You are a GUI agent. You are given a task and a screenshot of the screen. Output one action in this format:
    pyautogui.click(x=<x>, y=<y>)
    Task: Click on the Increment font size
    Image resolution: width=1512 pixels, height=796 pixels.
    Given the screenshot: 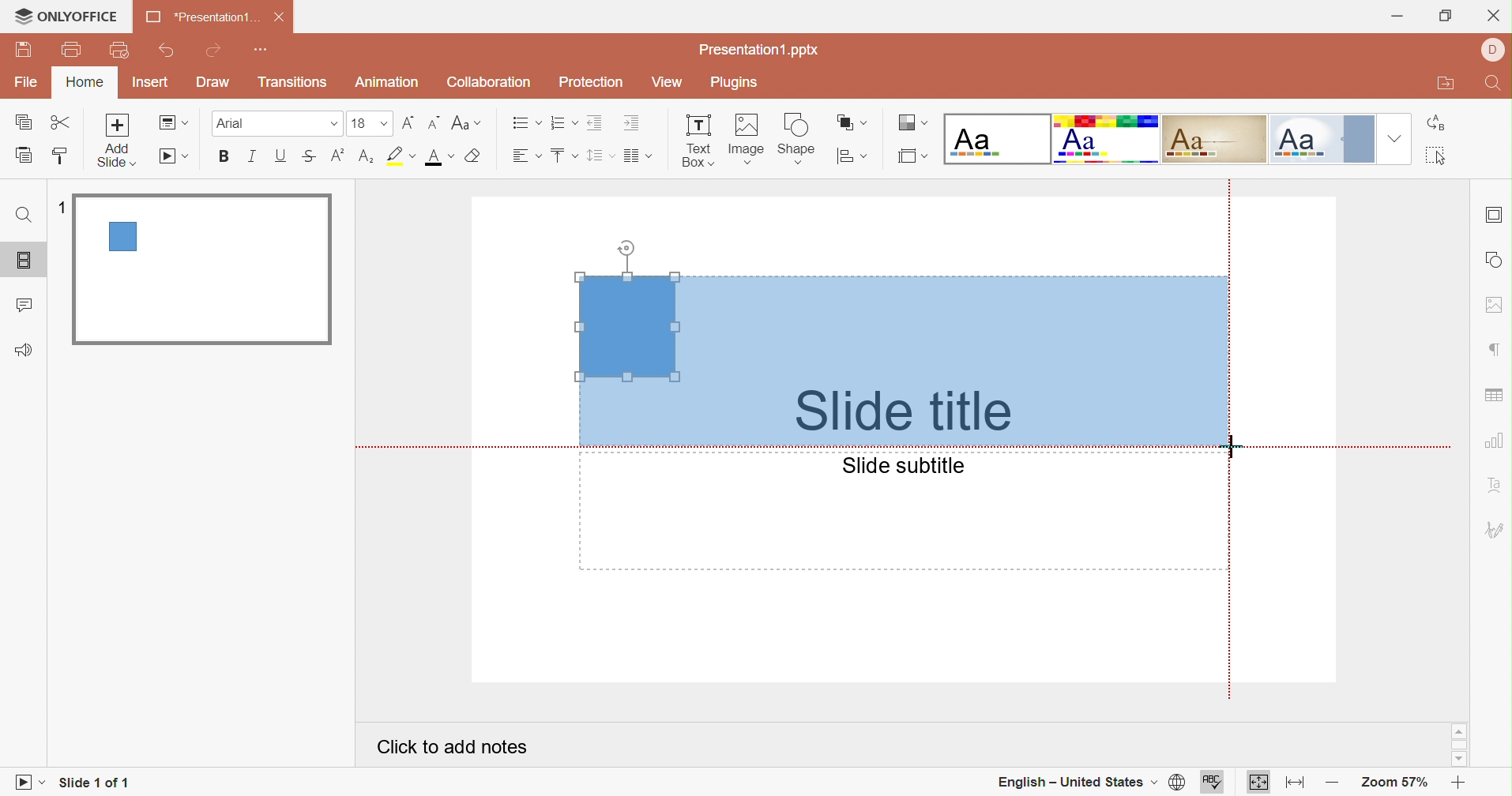 What is the action you would take?
    pyautogui.click(x=408, y=125)
    